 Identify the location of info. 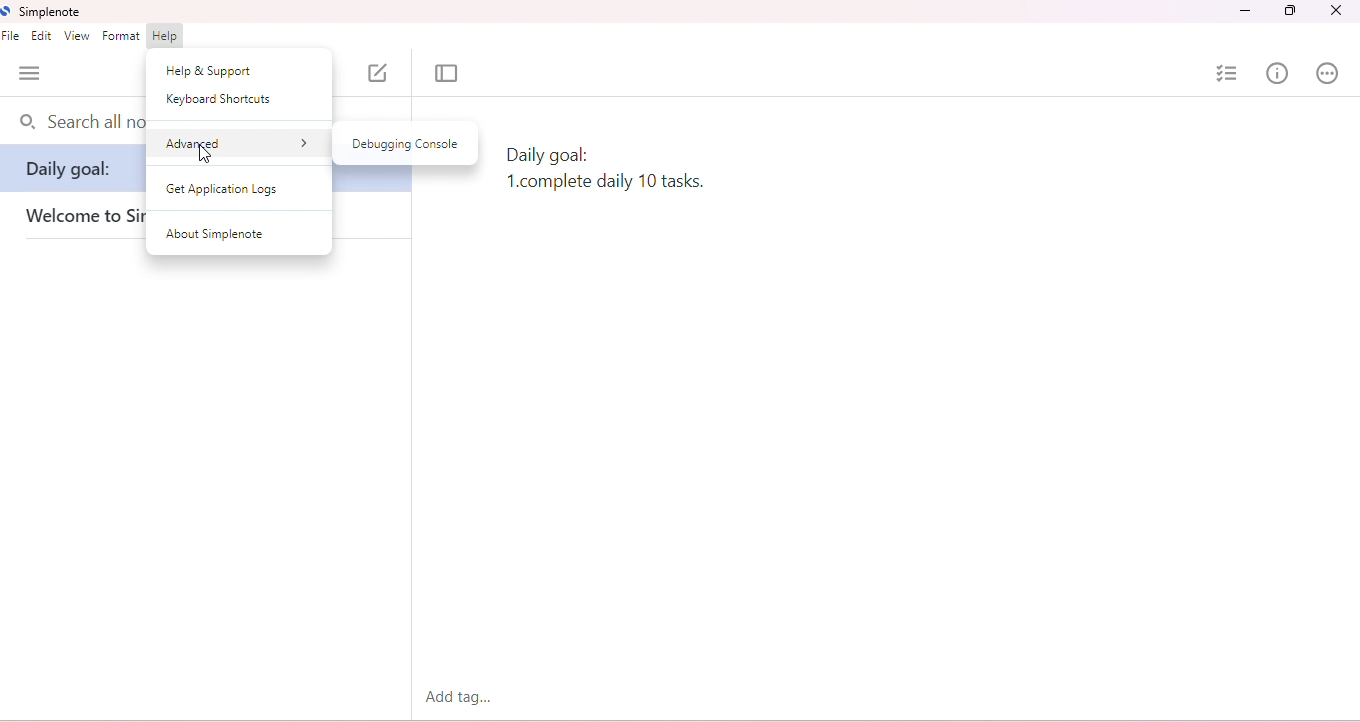
(1276, 72).